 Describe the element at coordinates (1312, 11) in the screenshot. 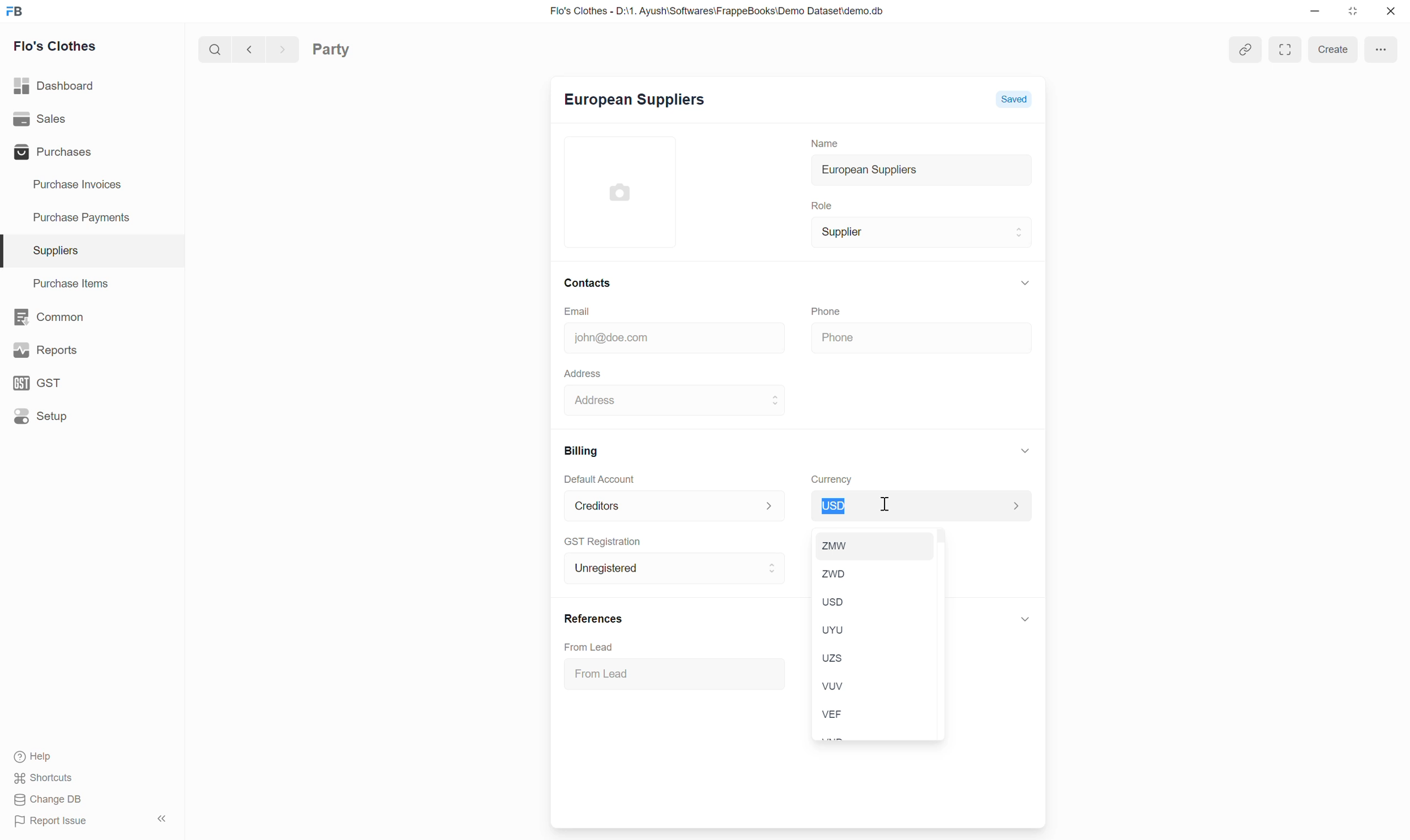

I see `minimise` at that location.